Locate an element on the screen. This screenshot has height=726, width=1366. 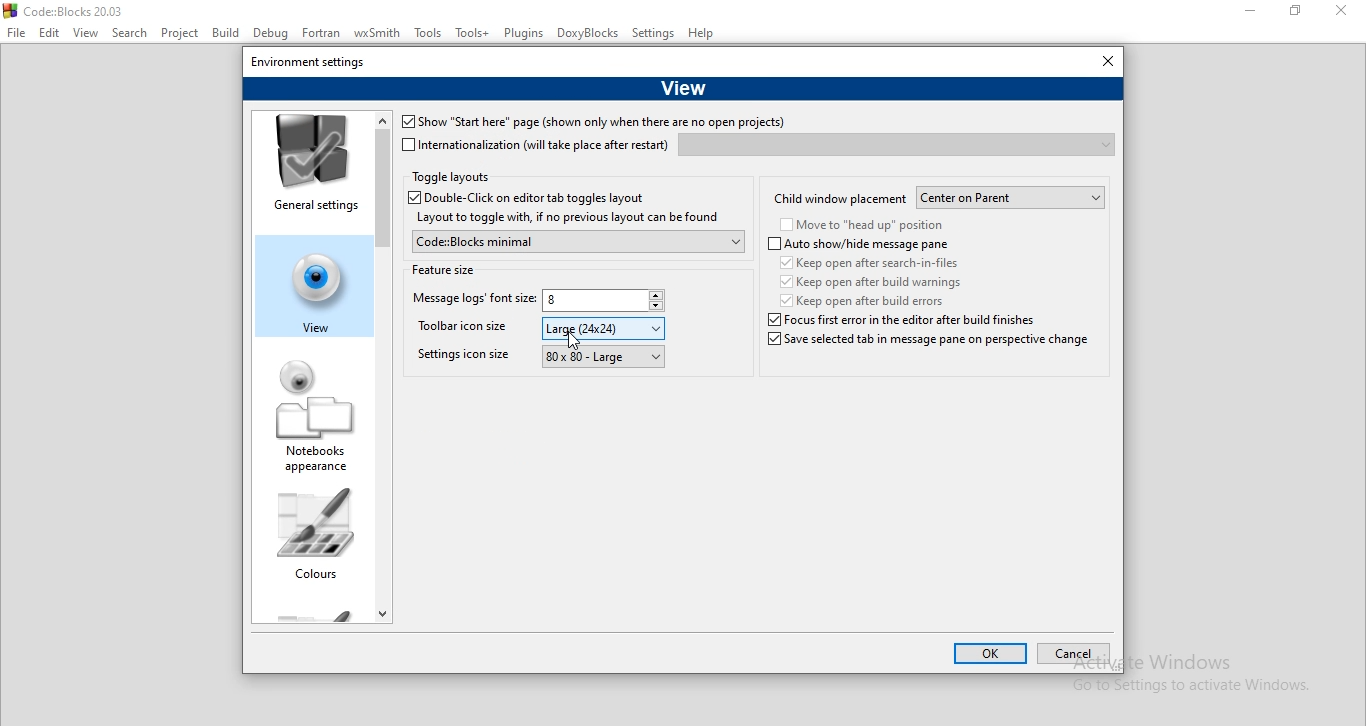
Keep open after search-in-files  is located at coordinates (874, 262).